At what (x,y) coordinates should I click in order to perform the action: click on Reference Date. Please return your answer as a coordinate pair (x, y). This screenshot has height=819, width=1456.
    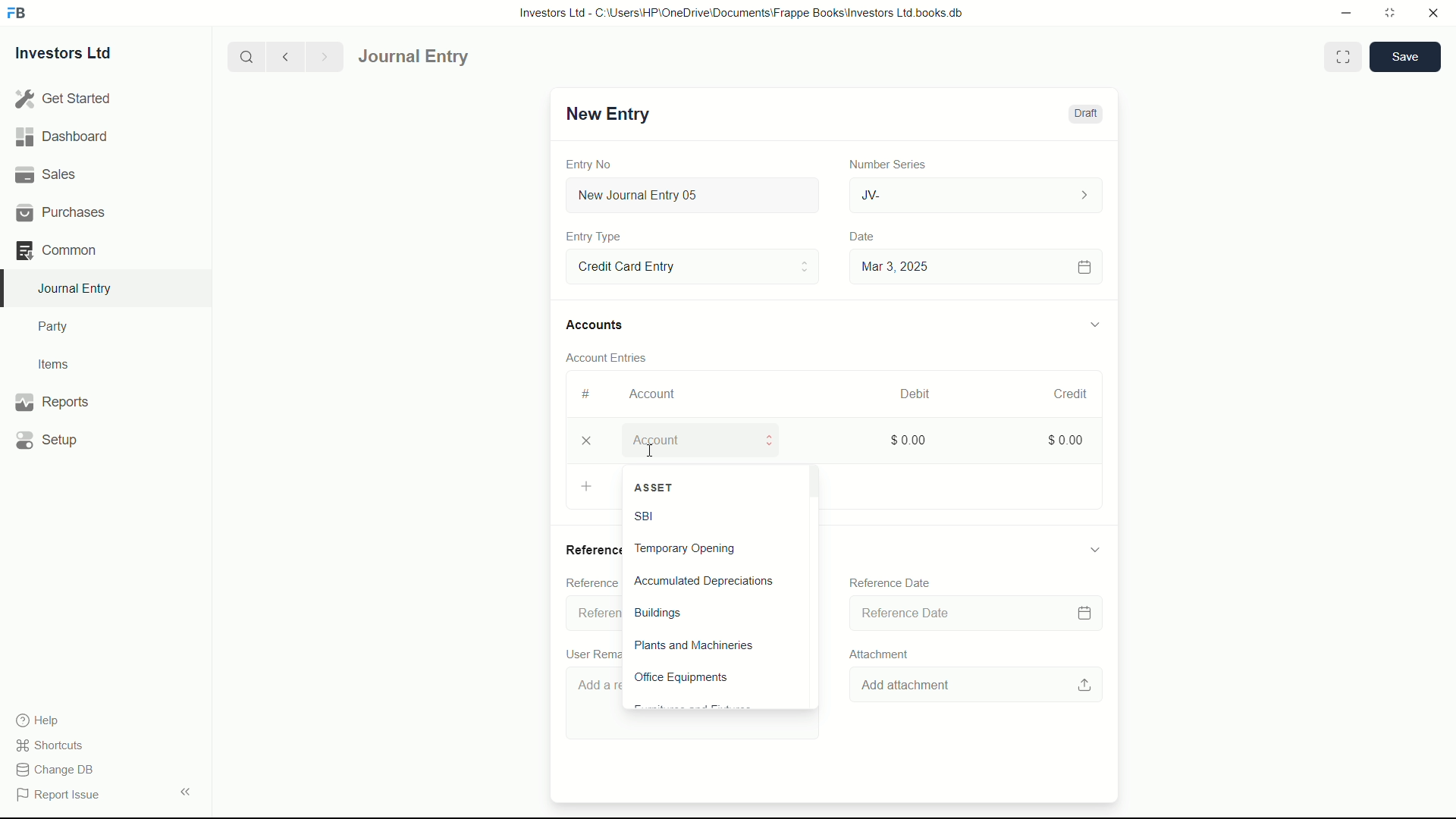
    Looking at the image, I should click on (890, 582).